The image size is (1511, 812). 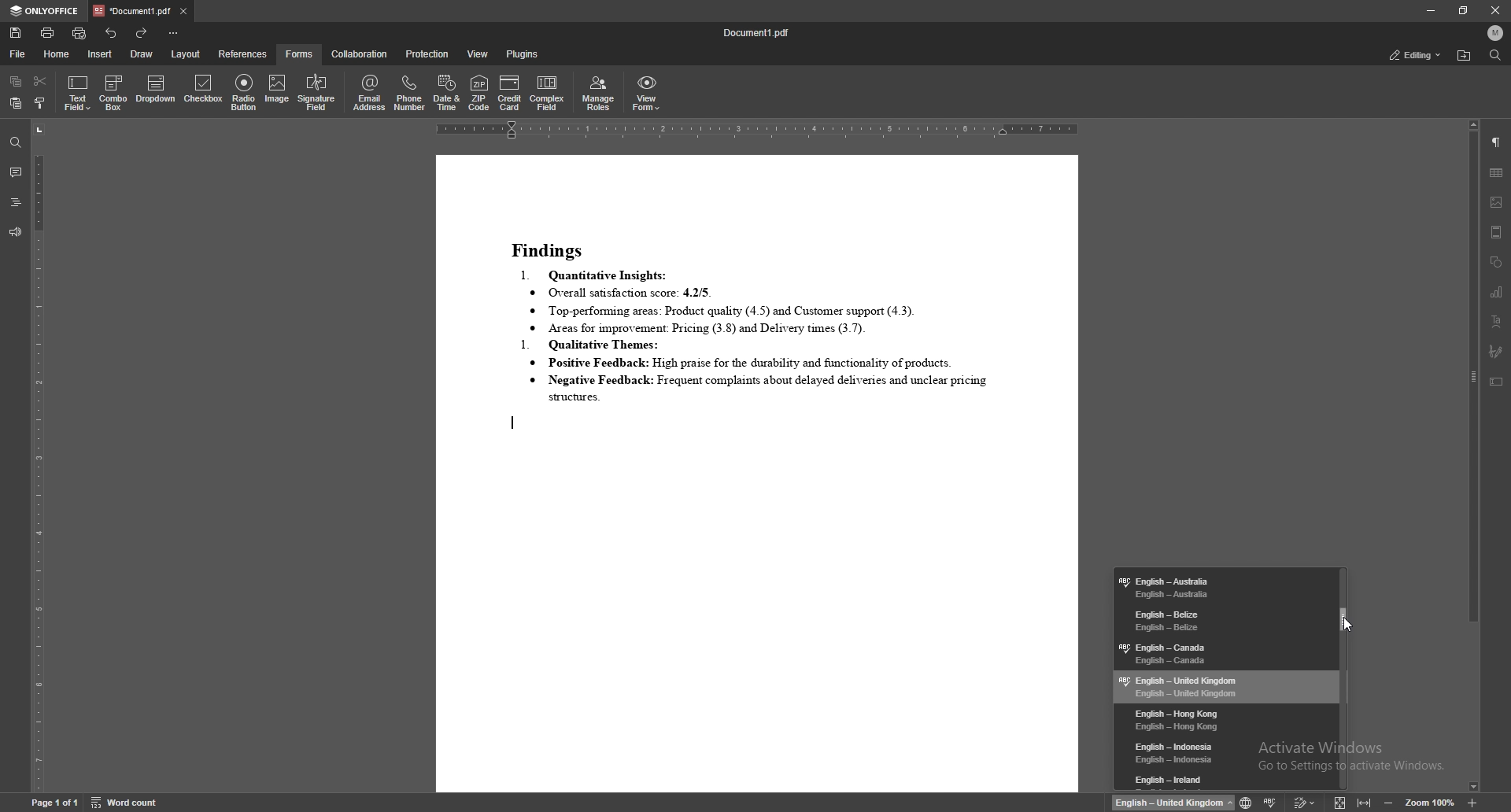 I want to click on manage roles, so click(x=599, y=94).